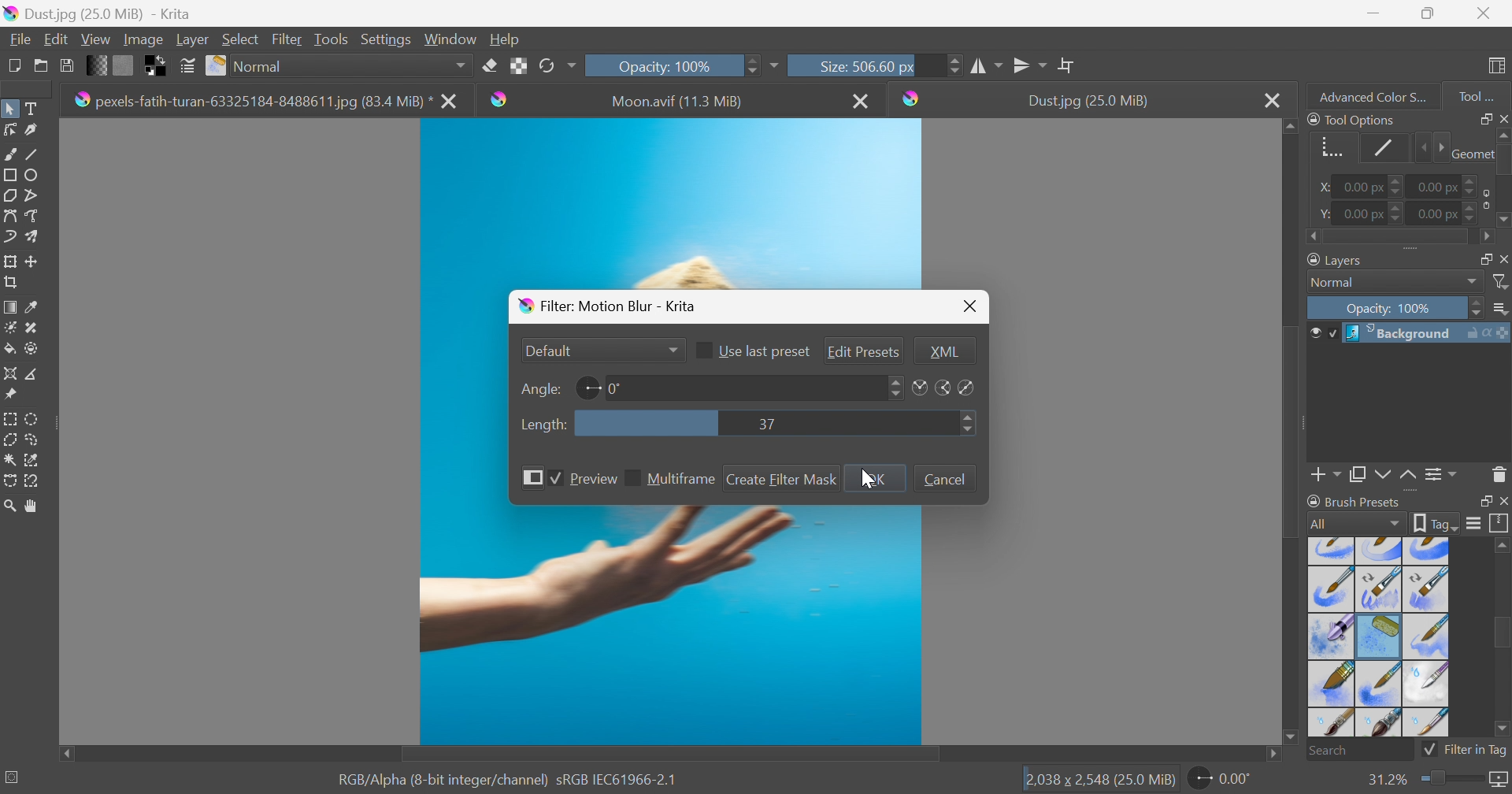 This screenshot has width=1512, height=794. I want to click on Use last preset, so click(765, 353).